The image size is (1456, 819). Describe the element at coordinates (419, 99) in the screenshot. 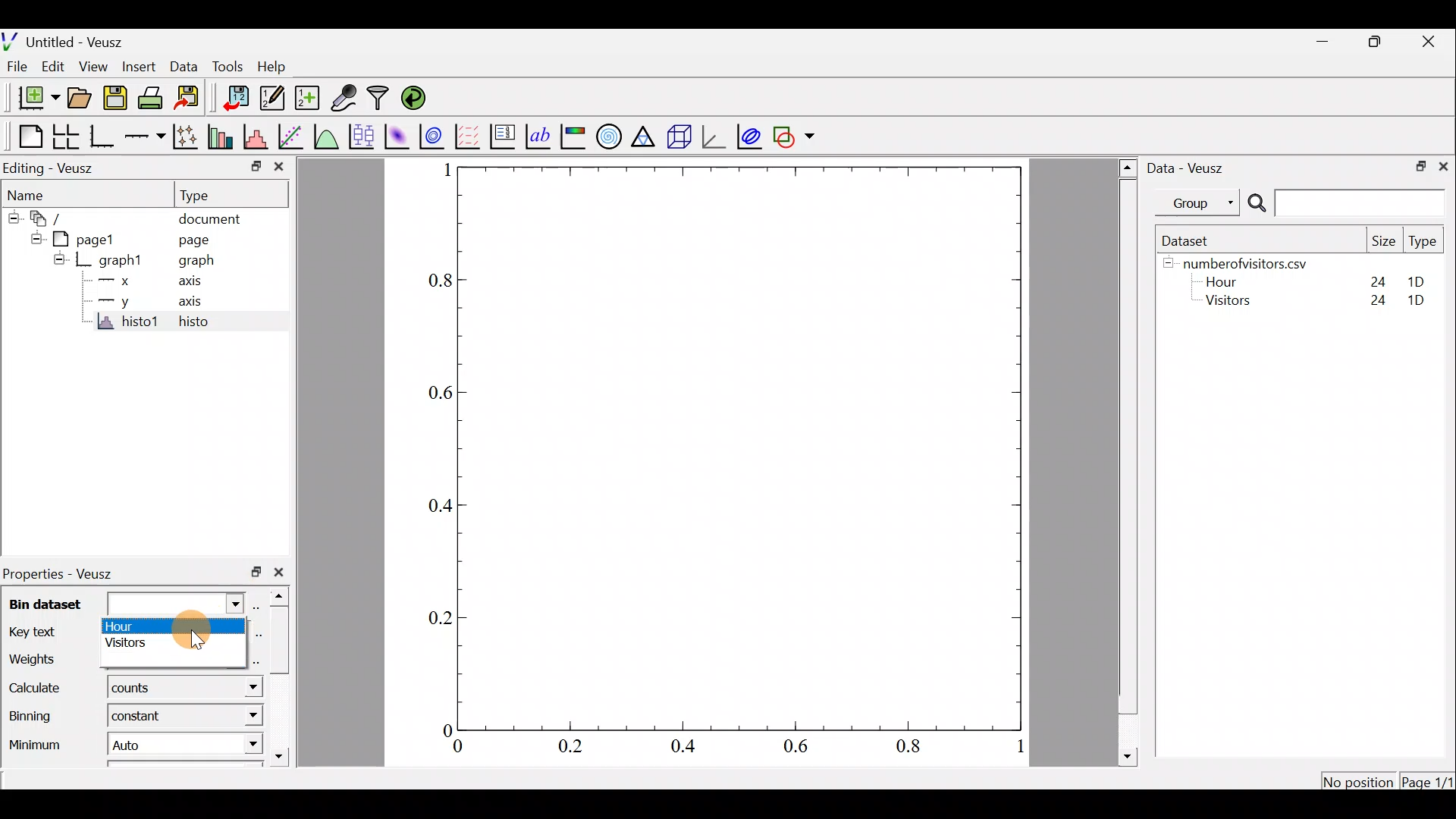

I see `reload linked datasets` at that location.